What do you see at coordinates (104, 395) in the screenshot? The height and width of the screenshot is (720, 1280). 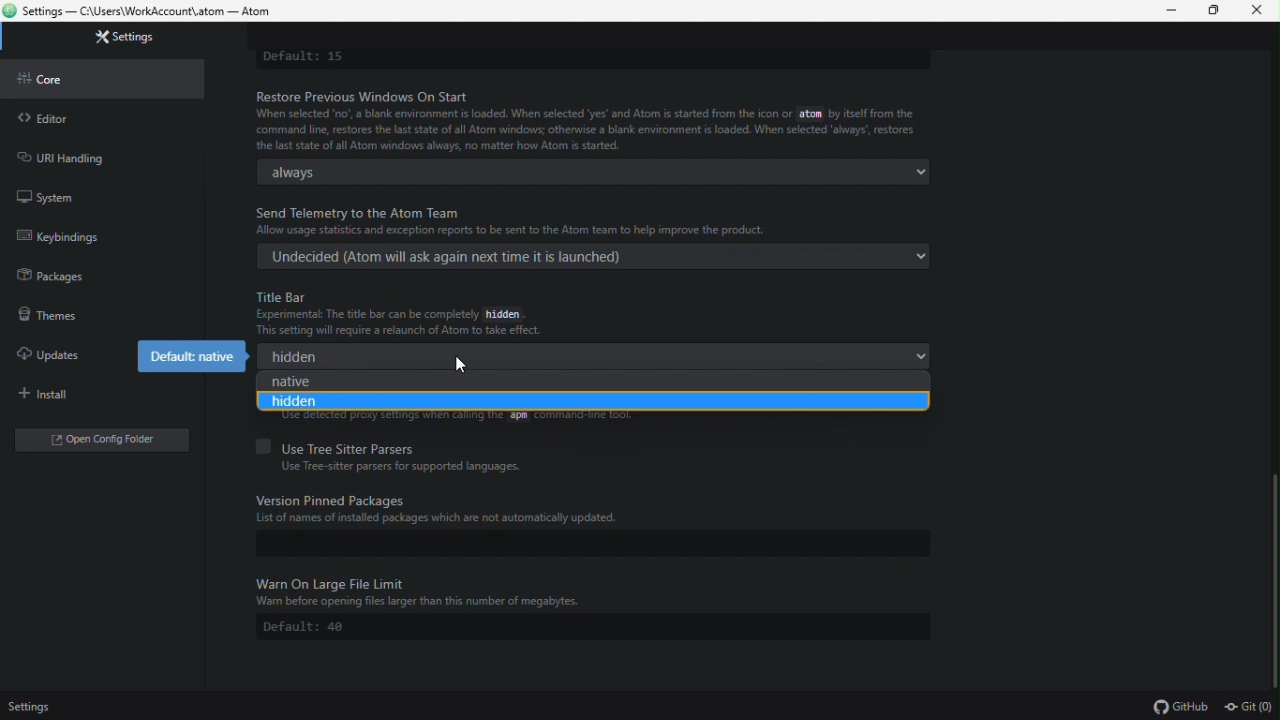 I see `install` at bounding box center [104, 395].